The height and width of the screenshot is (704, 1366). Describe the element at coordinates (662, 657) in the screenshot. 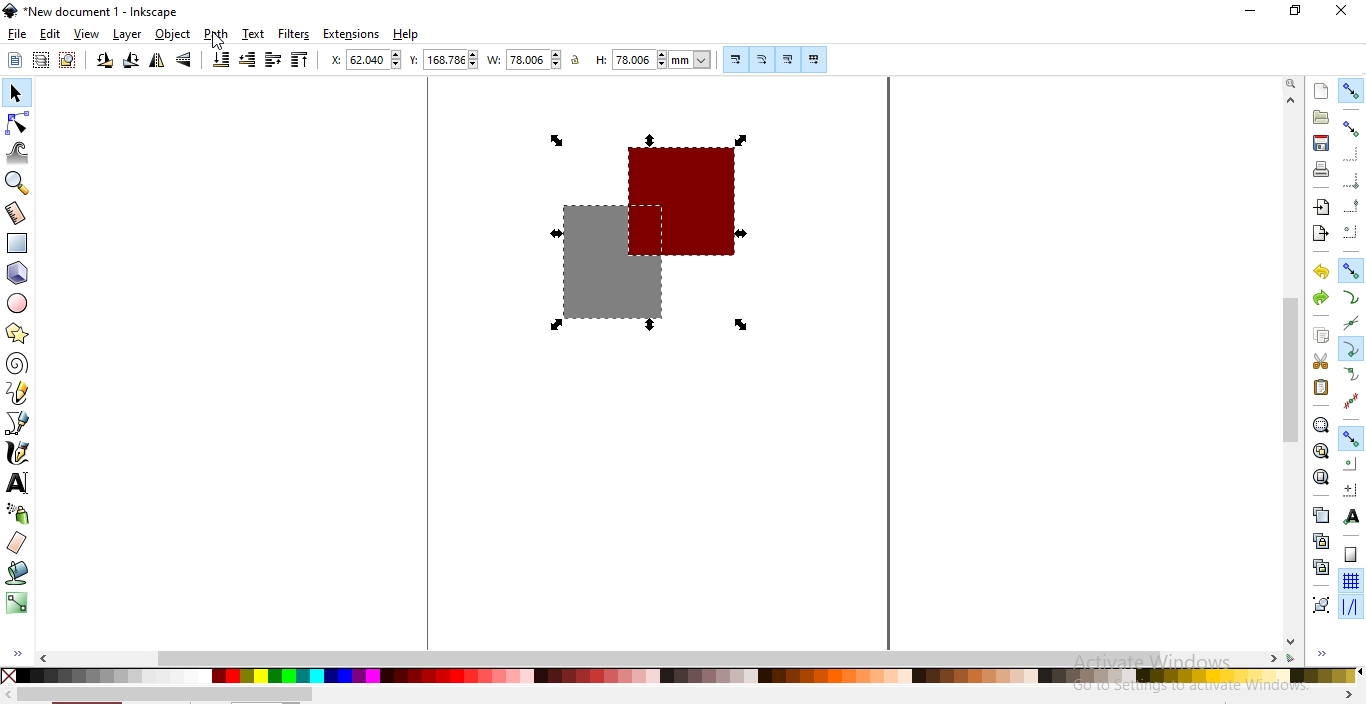

I see `scrollbar` at that location.